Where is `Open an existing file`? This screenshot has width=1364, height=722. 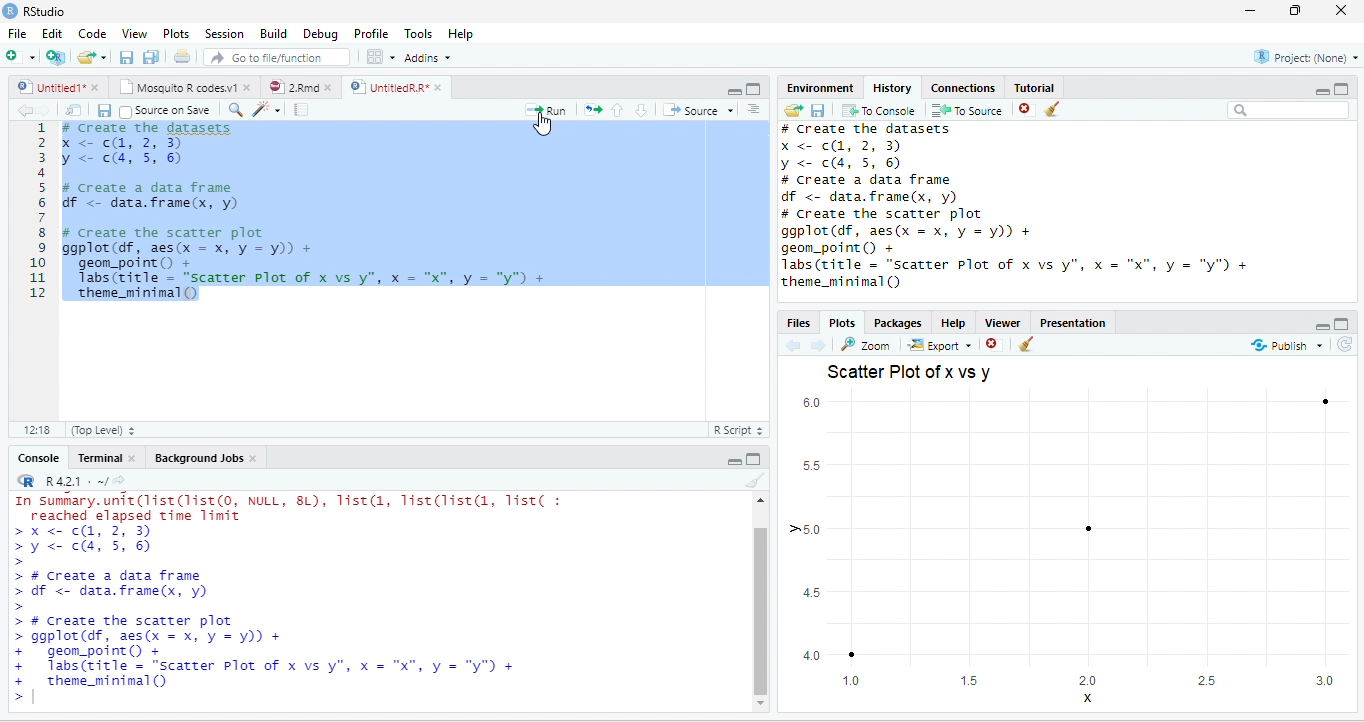
Open an existing file is located at coordinates (86, 57).